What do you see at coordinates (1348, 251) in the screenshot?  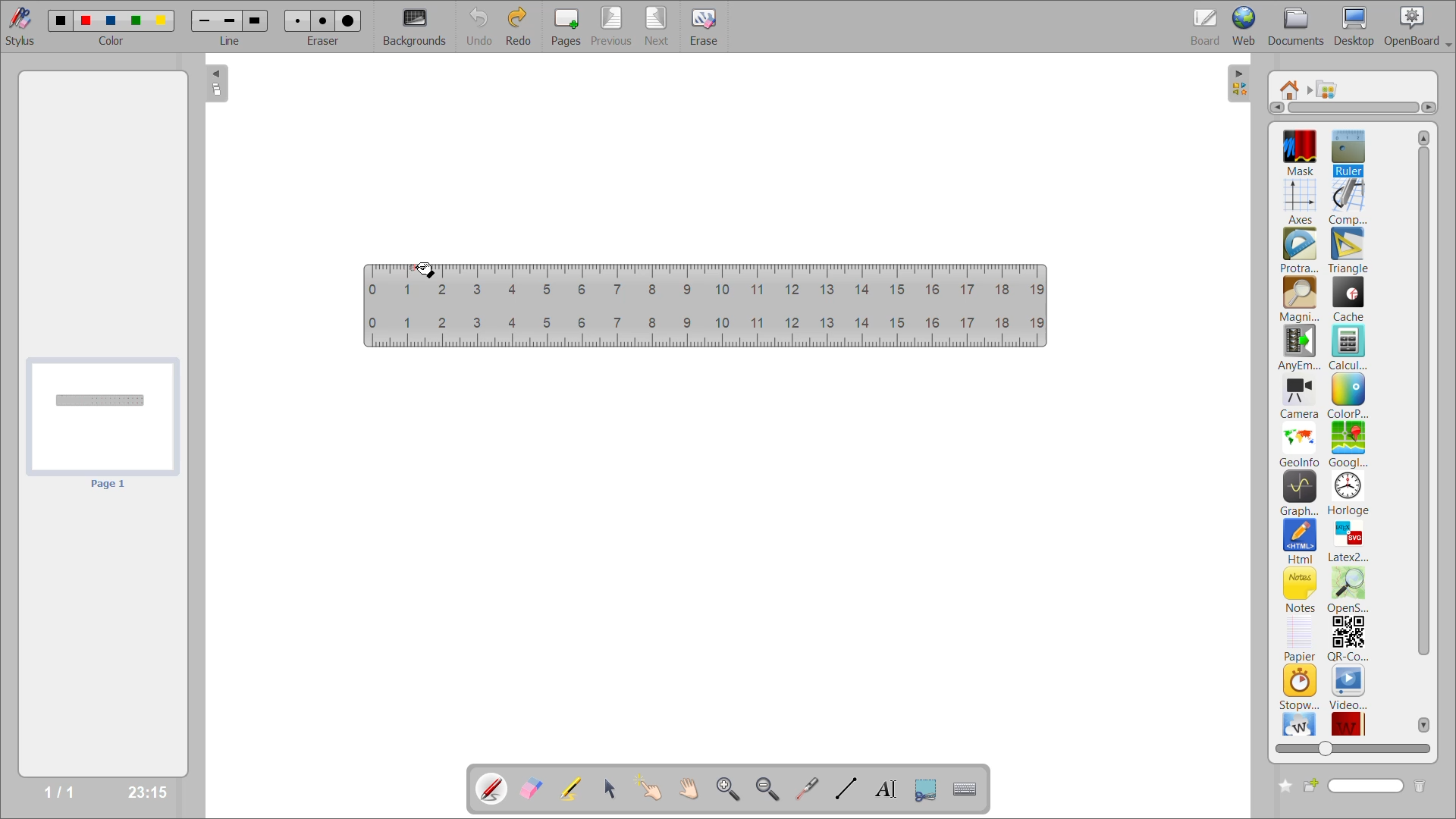 I see `triangle` at bounding box center [1348, 251].